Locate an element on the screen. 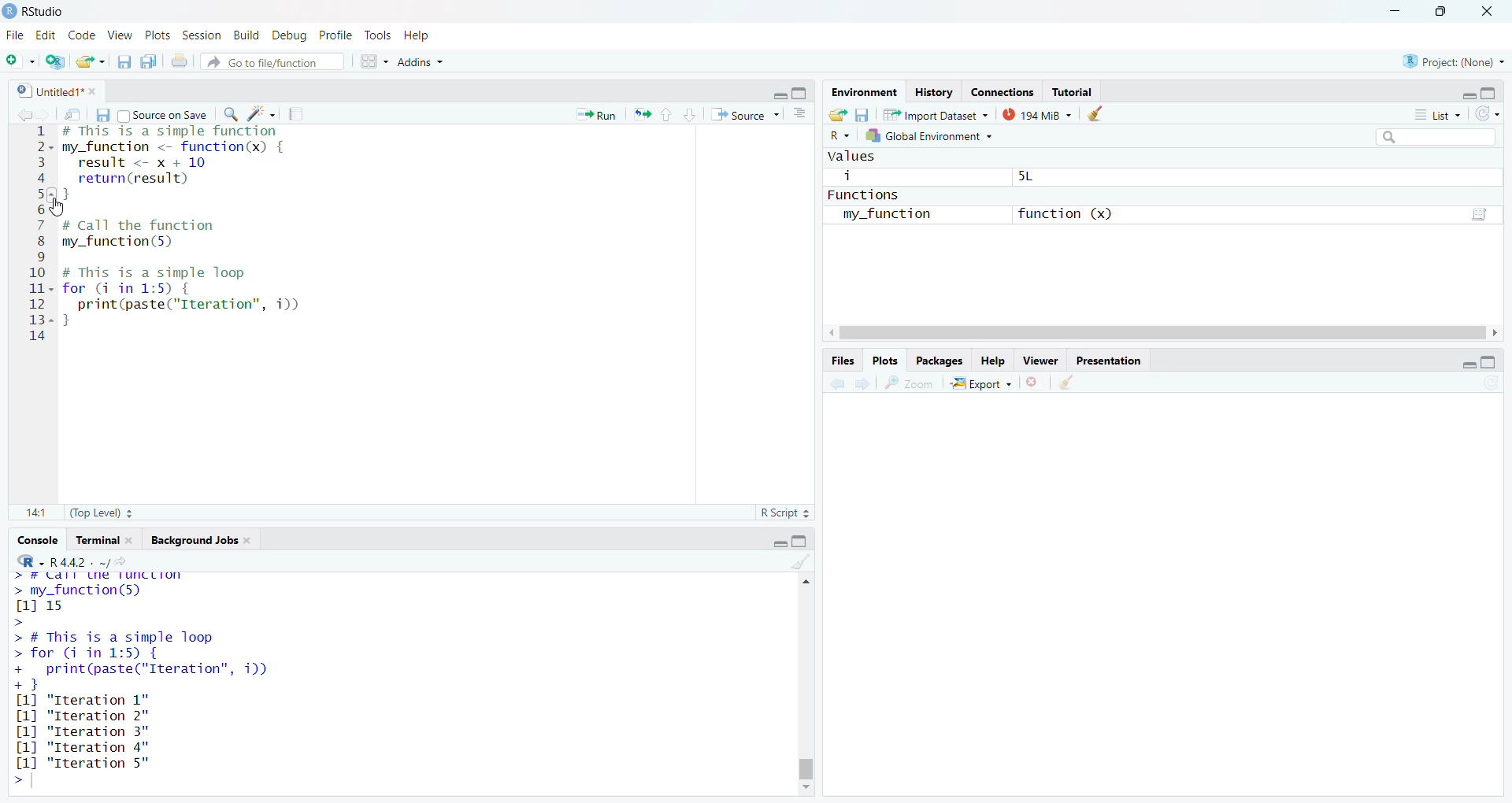 This screenshot has width=1512, height=803. minimize is located at coordinates (776, 541).